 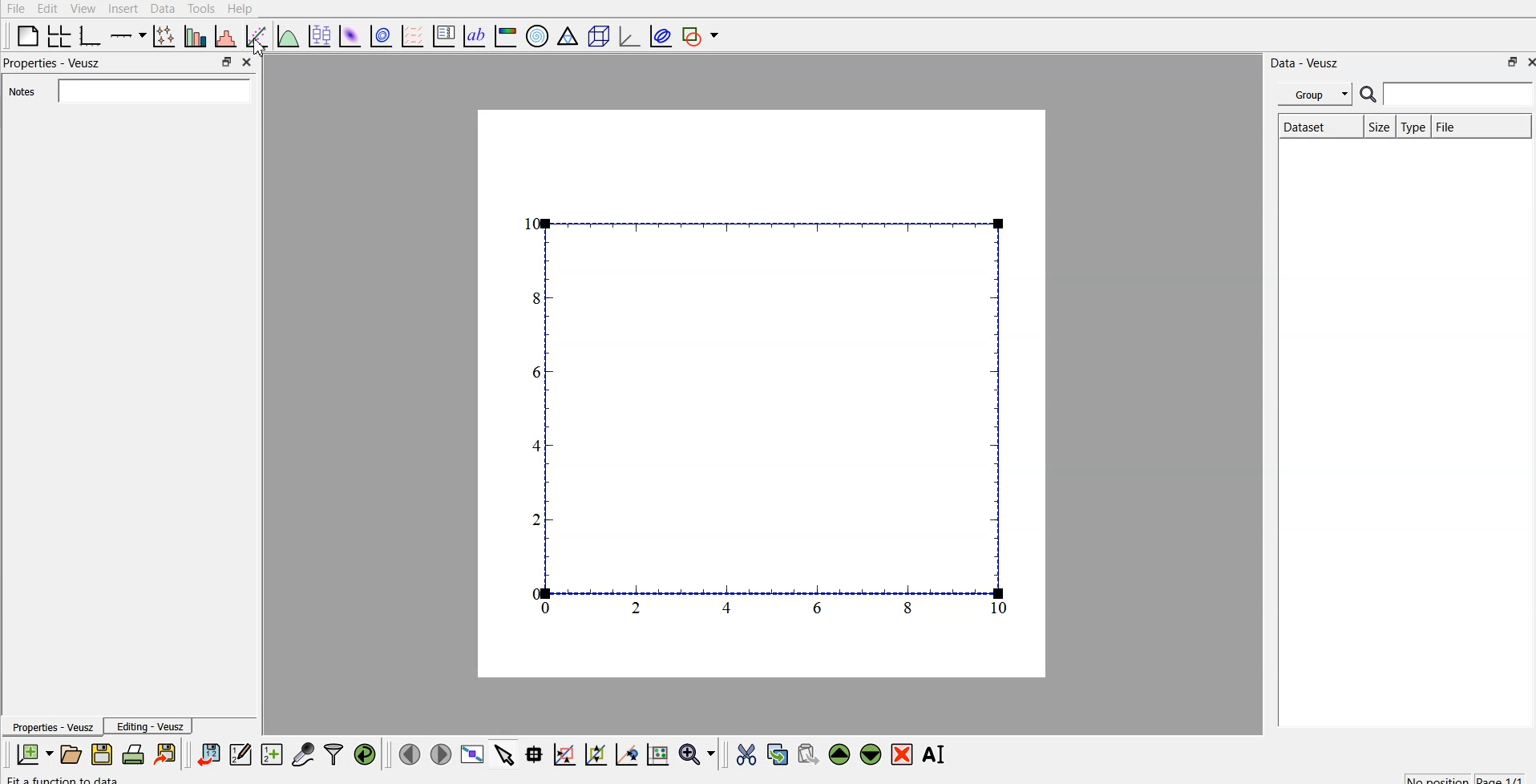 What do you see at coordinates (474, 756) in the screenshot?
I see `view plot fullscreen` at bounding box center [474, 756].